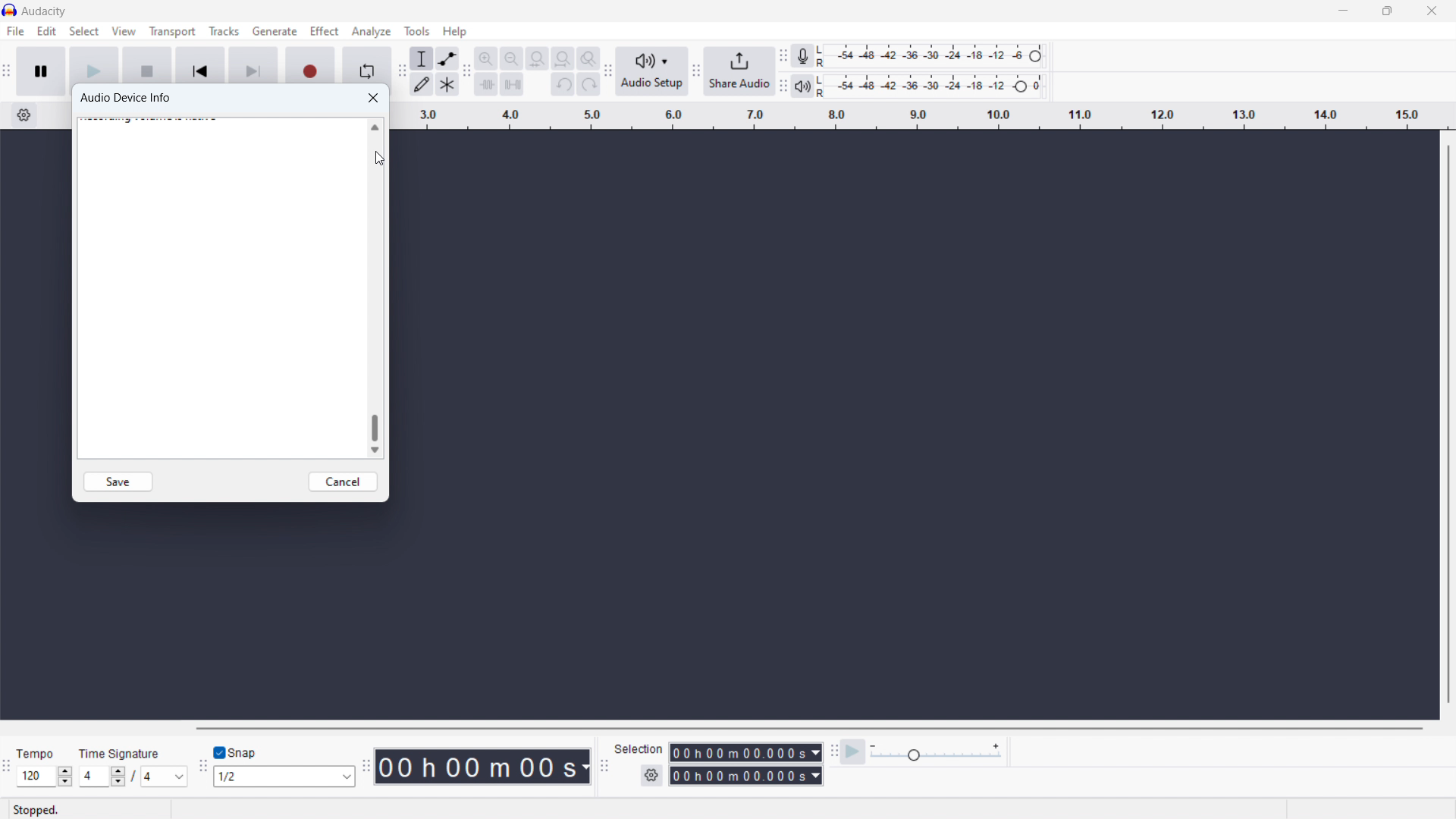 Image resolution: width=1456 pixels, height=819 pixels. I want to click on edit, so click(46, 31).